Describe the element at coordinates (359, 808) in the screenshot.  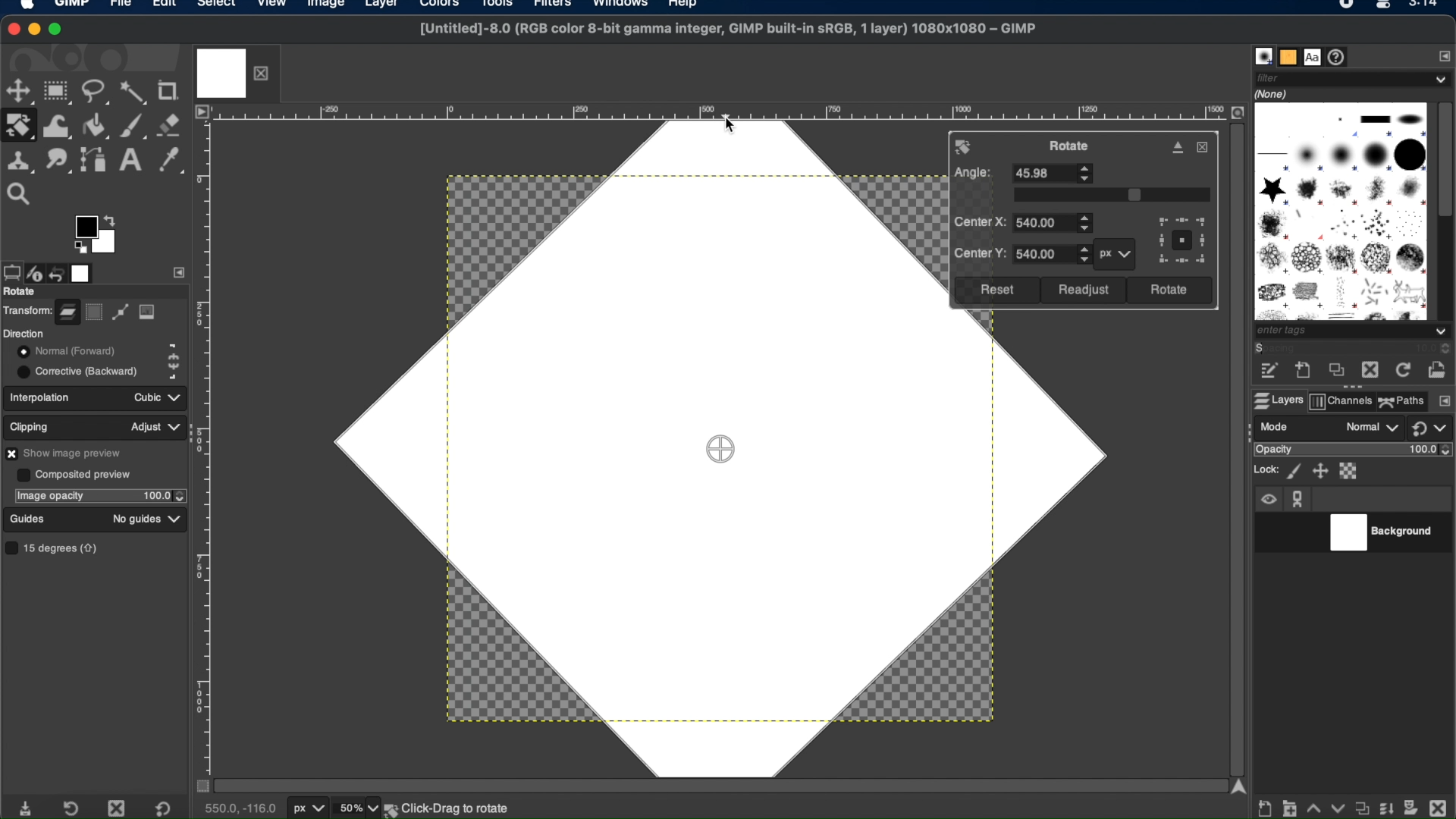
I see `zoom levels` at that location.